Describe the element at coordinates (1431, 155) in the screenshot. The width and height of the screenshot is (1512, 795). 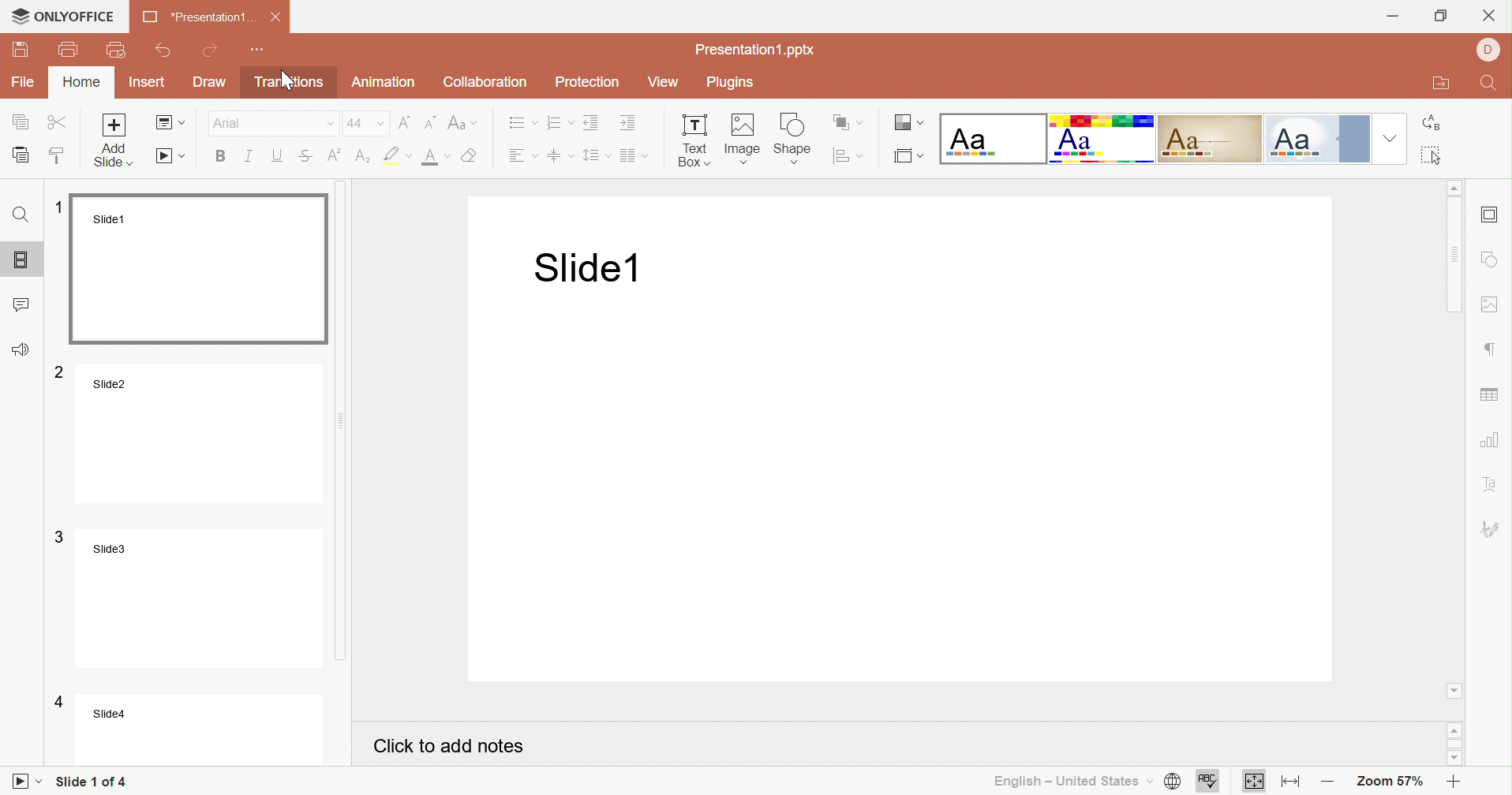
I see `Select all` at that location.